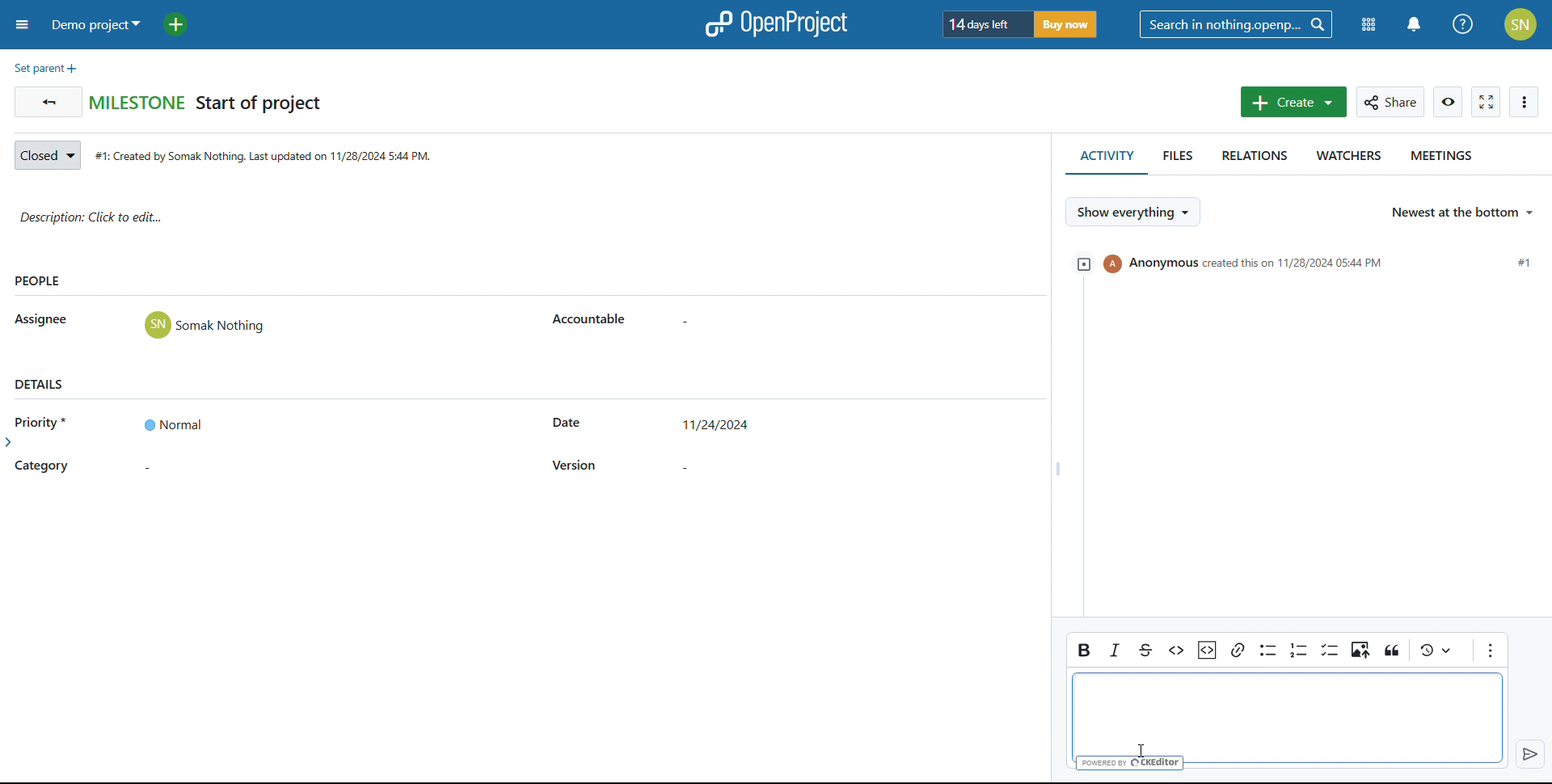 This screenshot has width=1552, height=784. I want to click on buy now, so click(1068, 23).